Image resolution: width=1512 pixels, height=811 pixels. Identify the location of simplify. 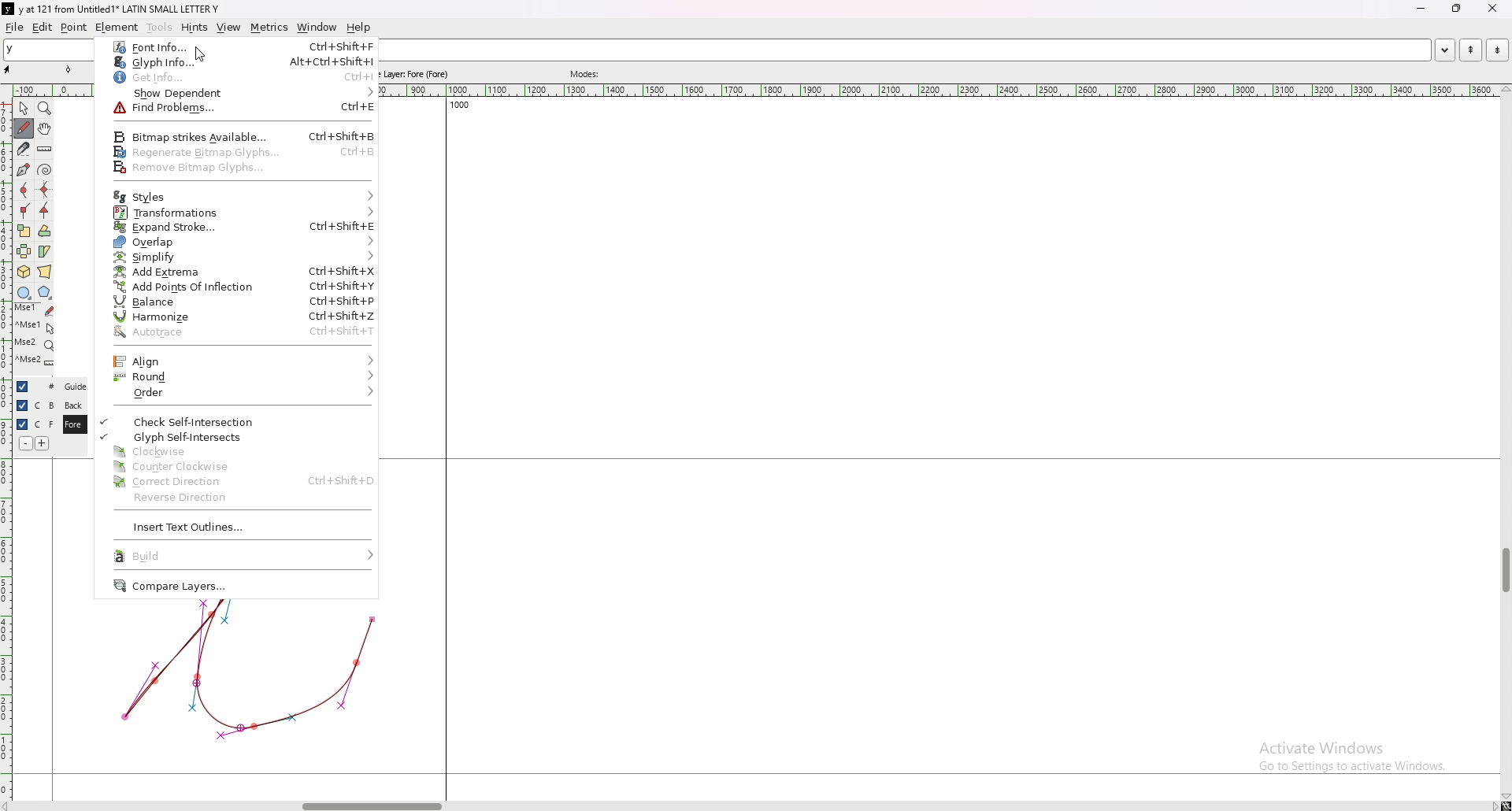
(235, 257).